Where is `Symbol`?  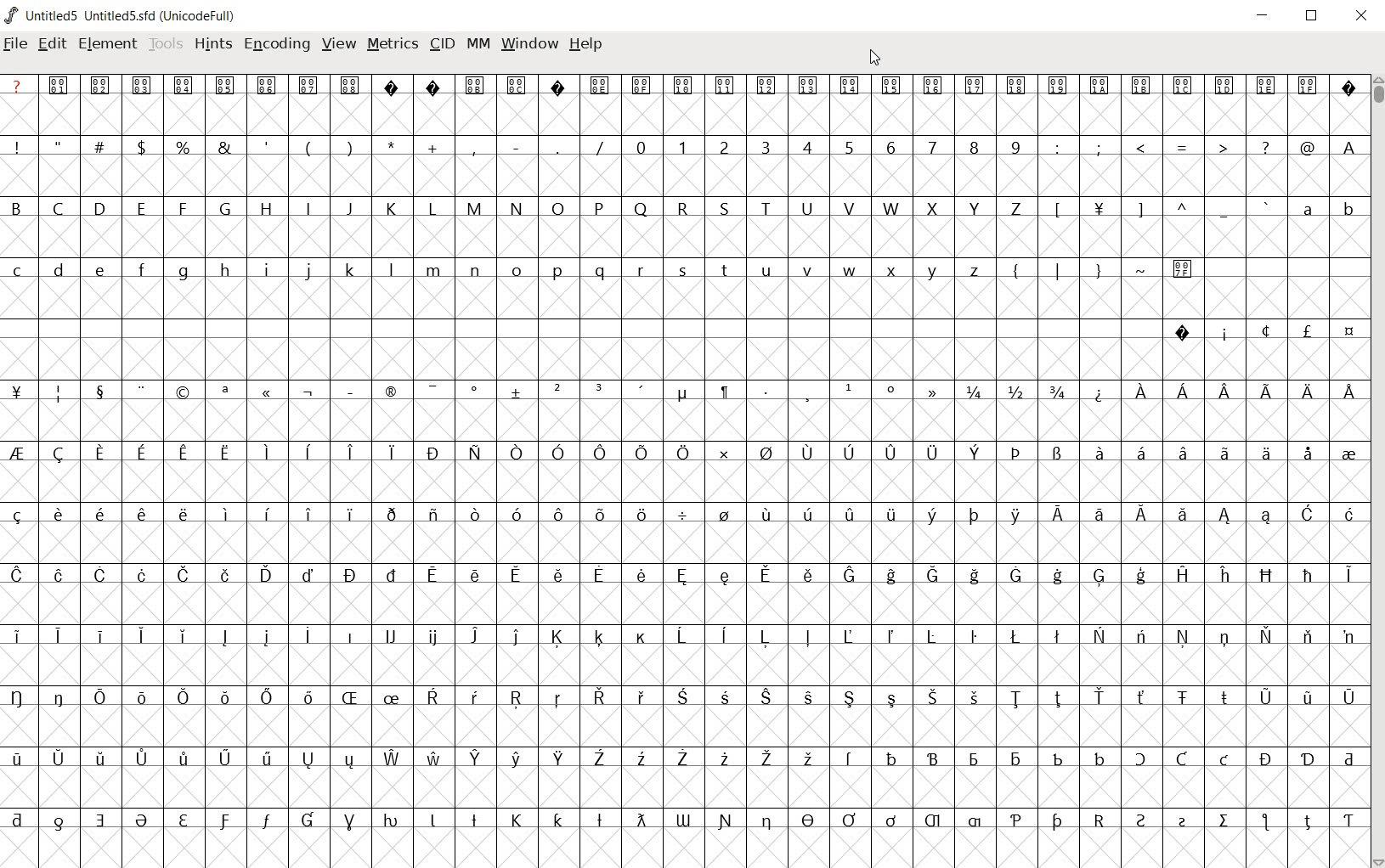
Symbol is located at coordinates (1057, 576).